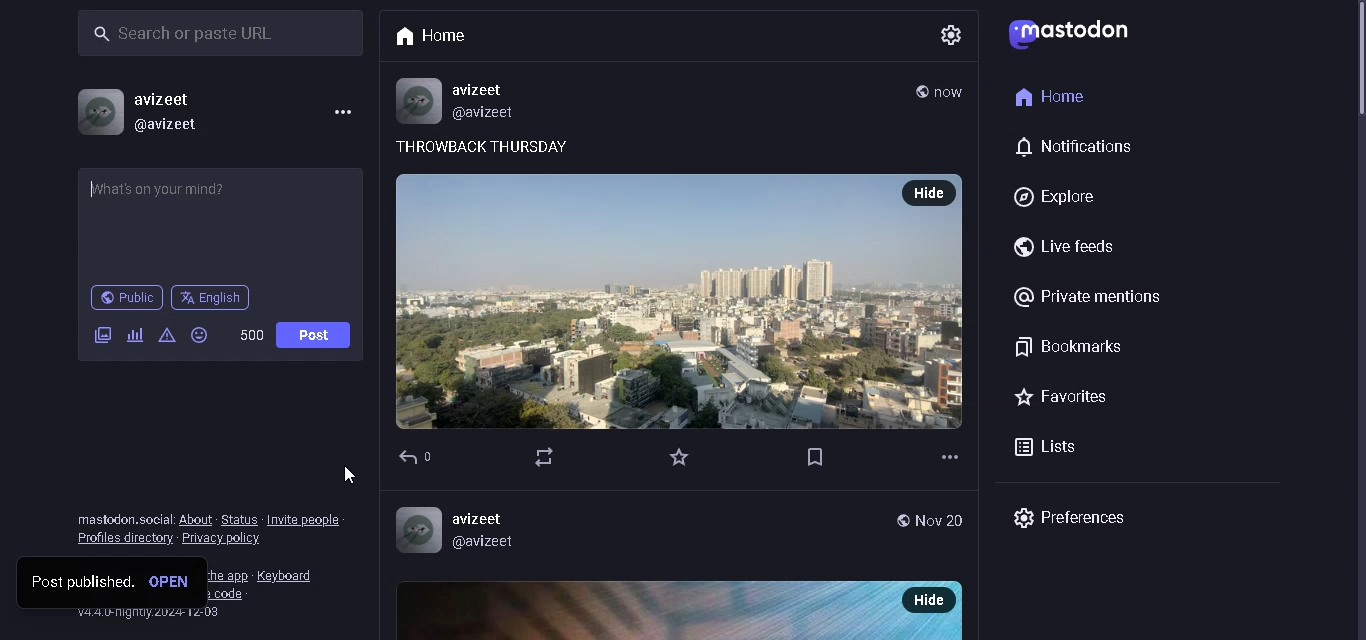 This screenshot has width=1366, height=640. I want to click on settings, so click(953, 36).